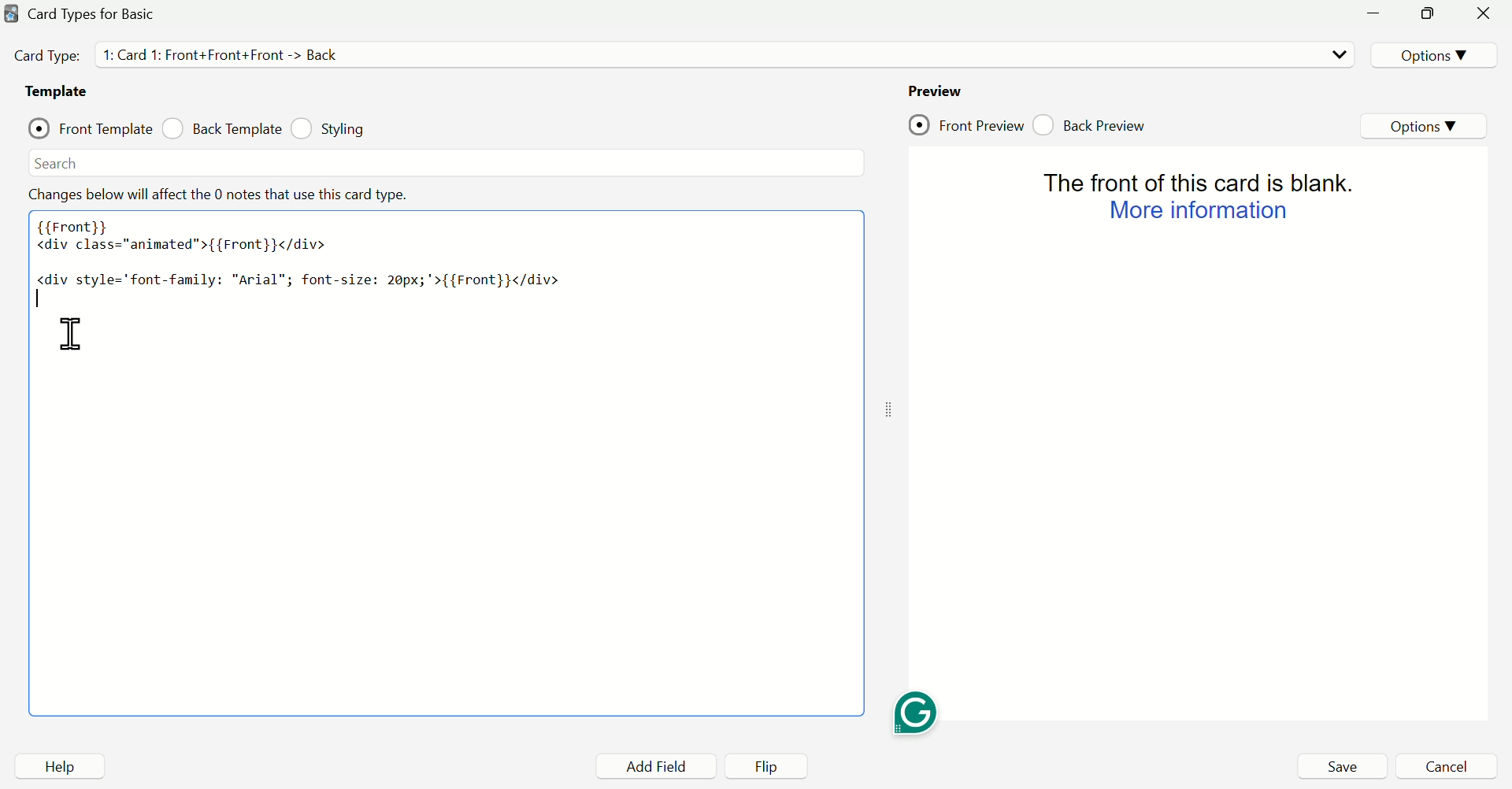  What do you see at coordinates (443, 162) in the screenshot?
I see `Search bar` at bounding box center [443, 162].